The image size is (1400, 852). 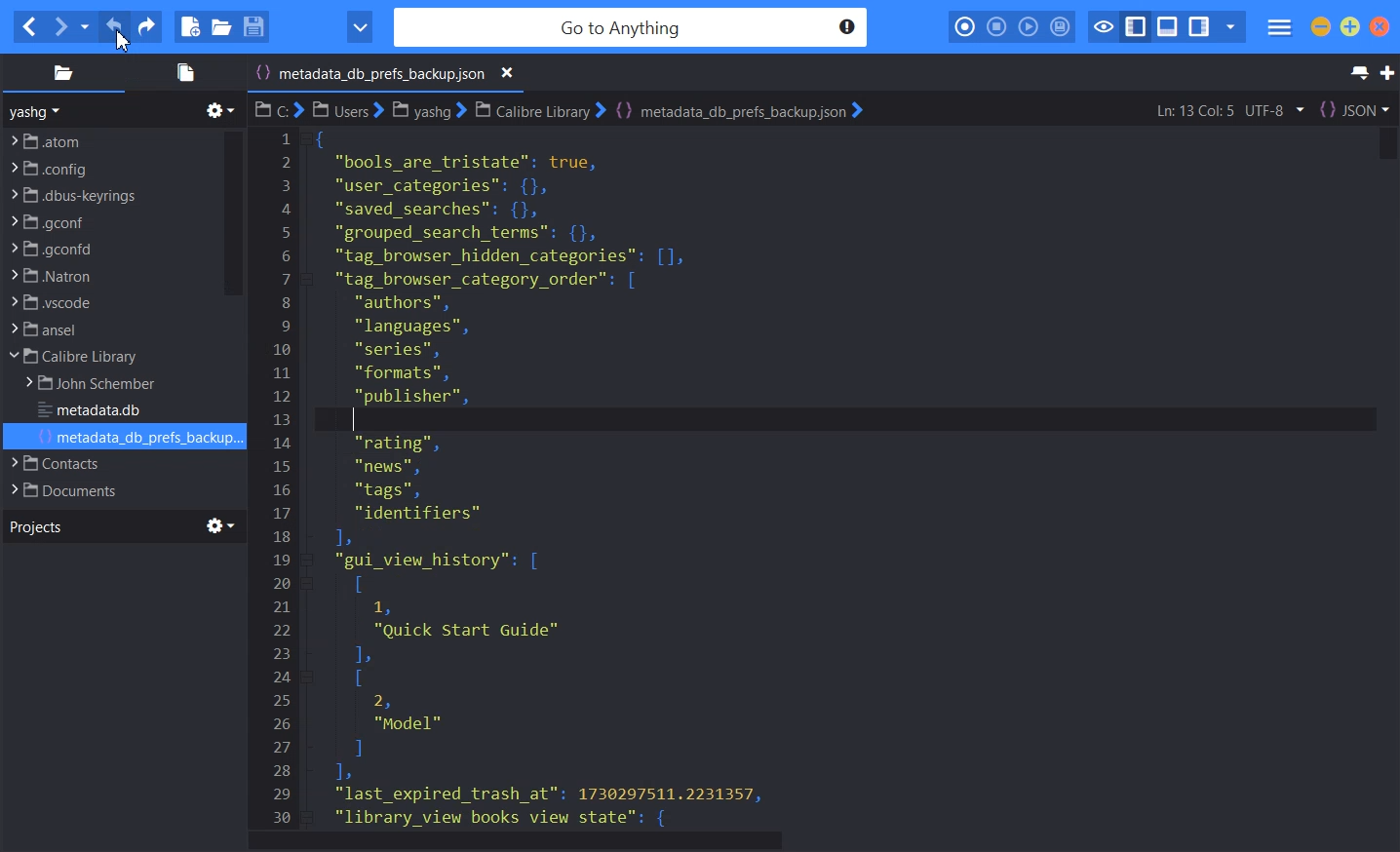 What do you see at coordinates (106, 489) in the screenshot?
I see `File` at bounding box center [106, 489].